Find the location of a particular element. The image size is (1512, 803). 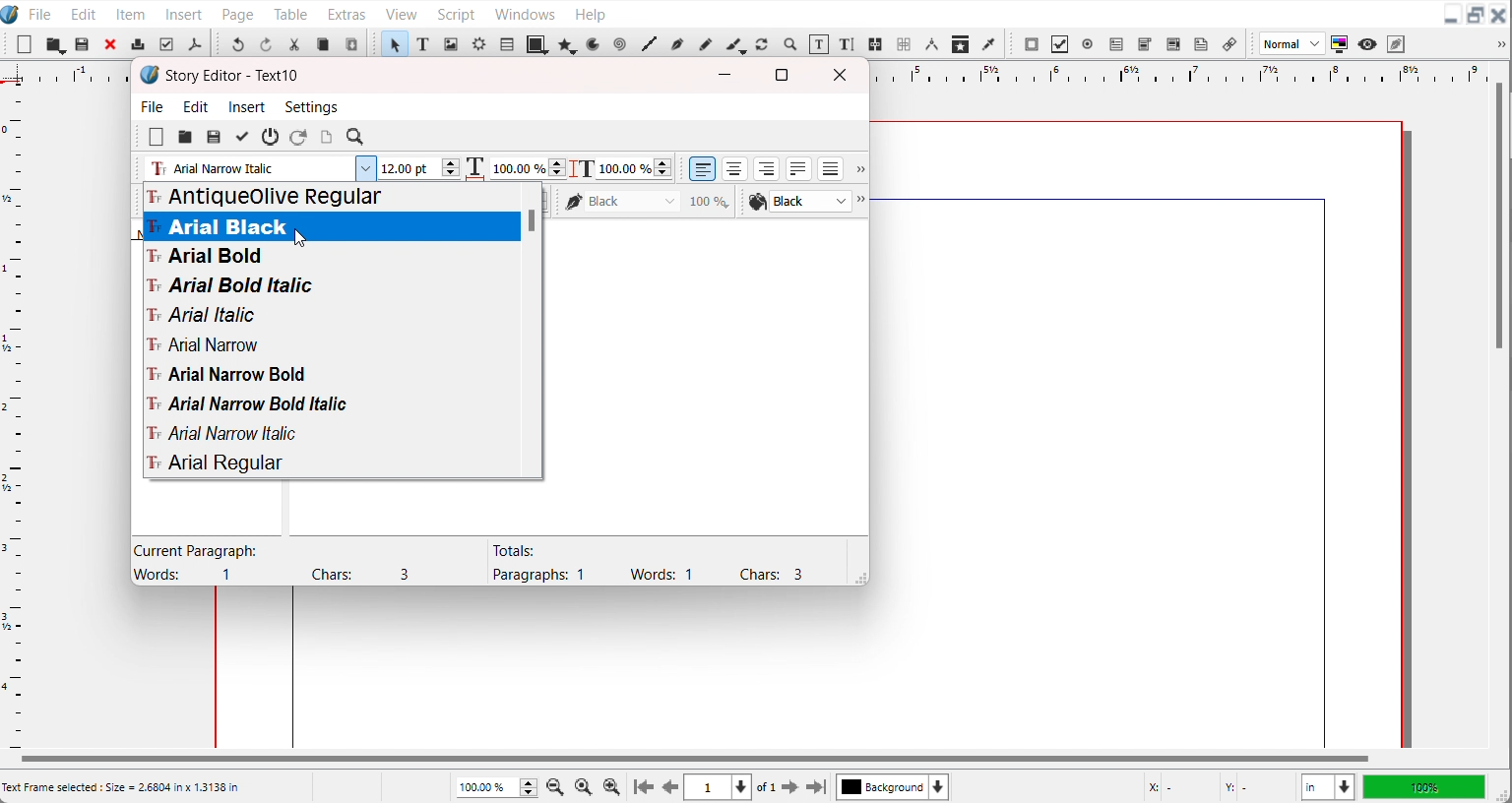

Edit is located at coordinates (81, 13).